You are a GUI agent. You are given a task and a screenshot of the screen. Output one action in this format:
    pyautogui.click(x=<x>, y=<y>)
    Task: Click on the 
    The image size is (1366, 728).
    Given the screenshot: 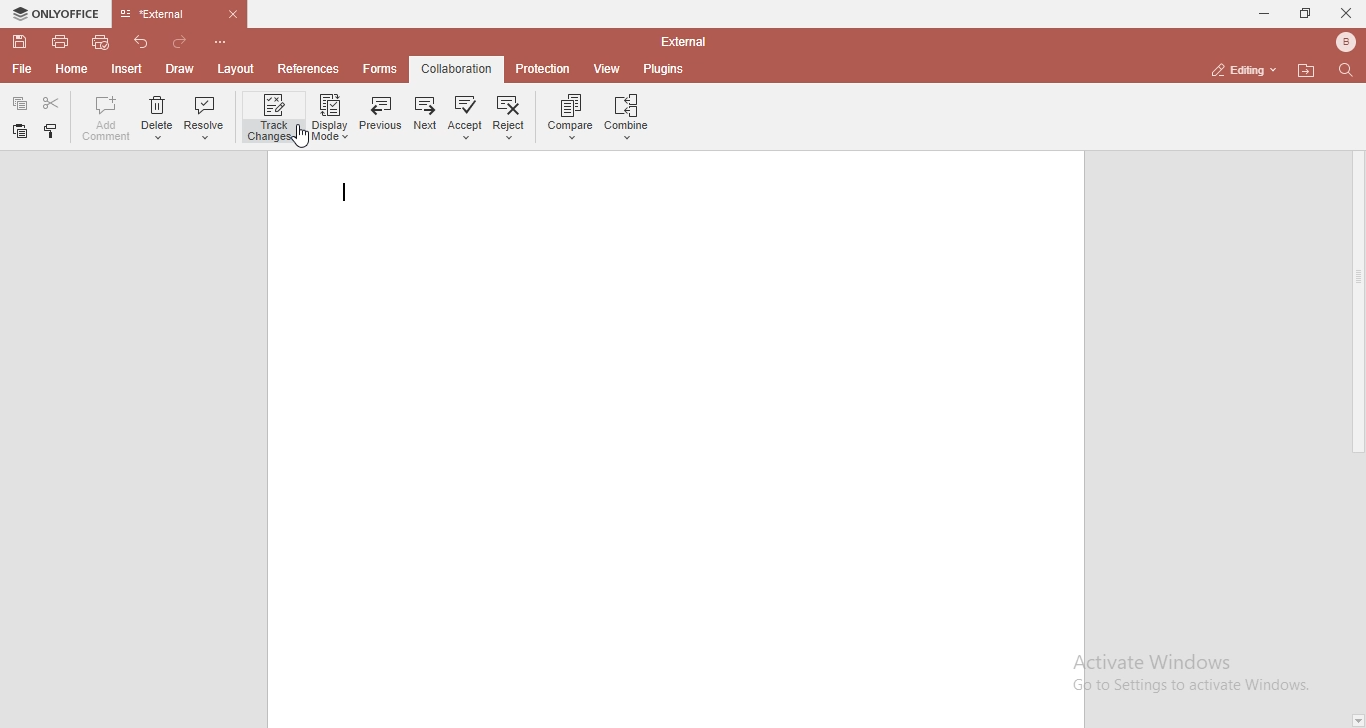 What is the action you would take?
    pyautogui.click(x=463, y=117)
    